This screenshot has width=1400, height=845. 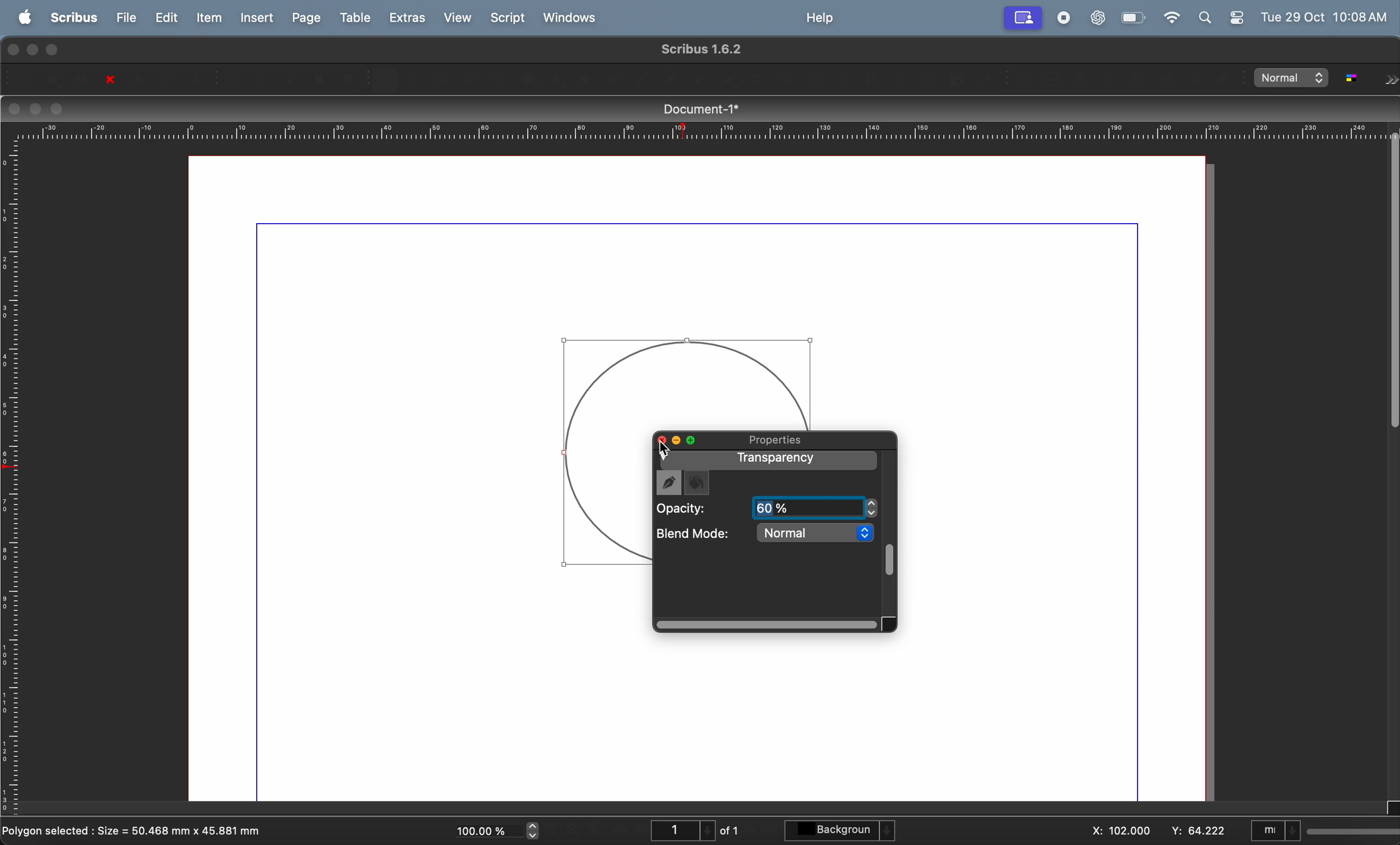 I want to click on battery, so click(x=1132, y=17).